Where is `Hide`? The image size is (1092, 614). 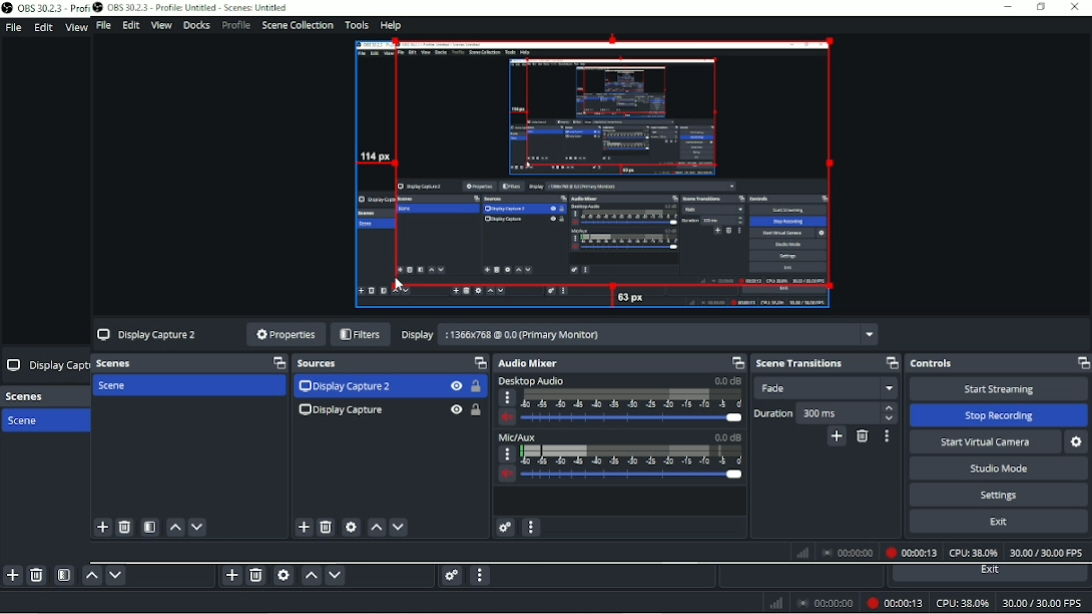
Hide is located at coordinates (454, 411).